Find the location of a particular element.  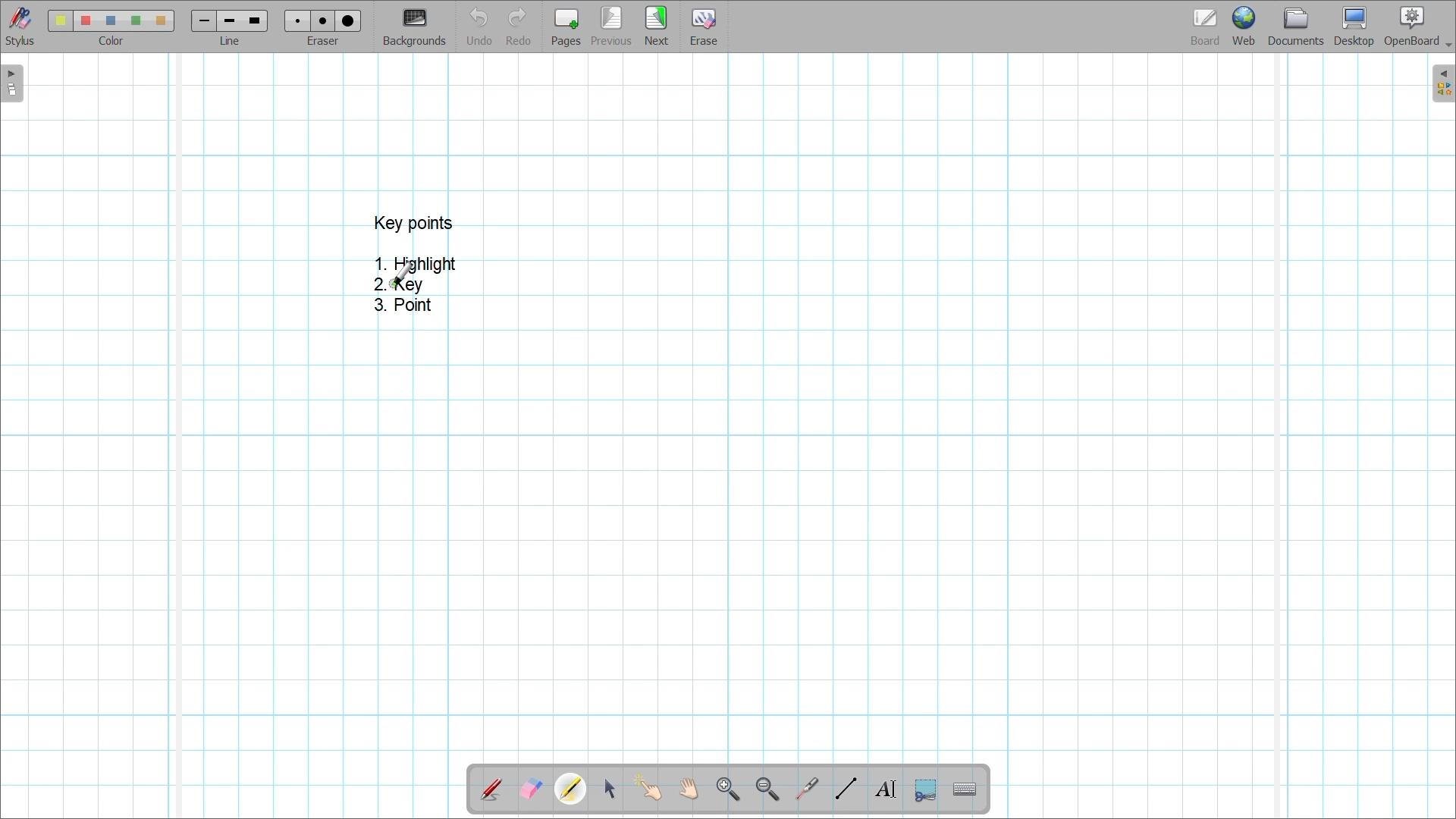

Right sidebar is located at coordinates (1443, 83).